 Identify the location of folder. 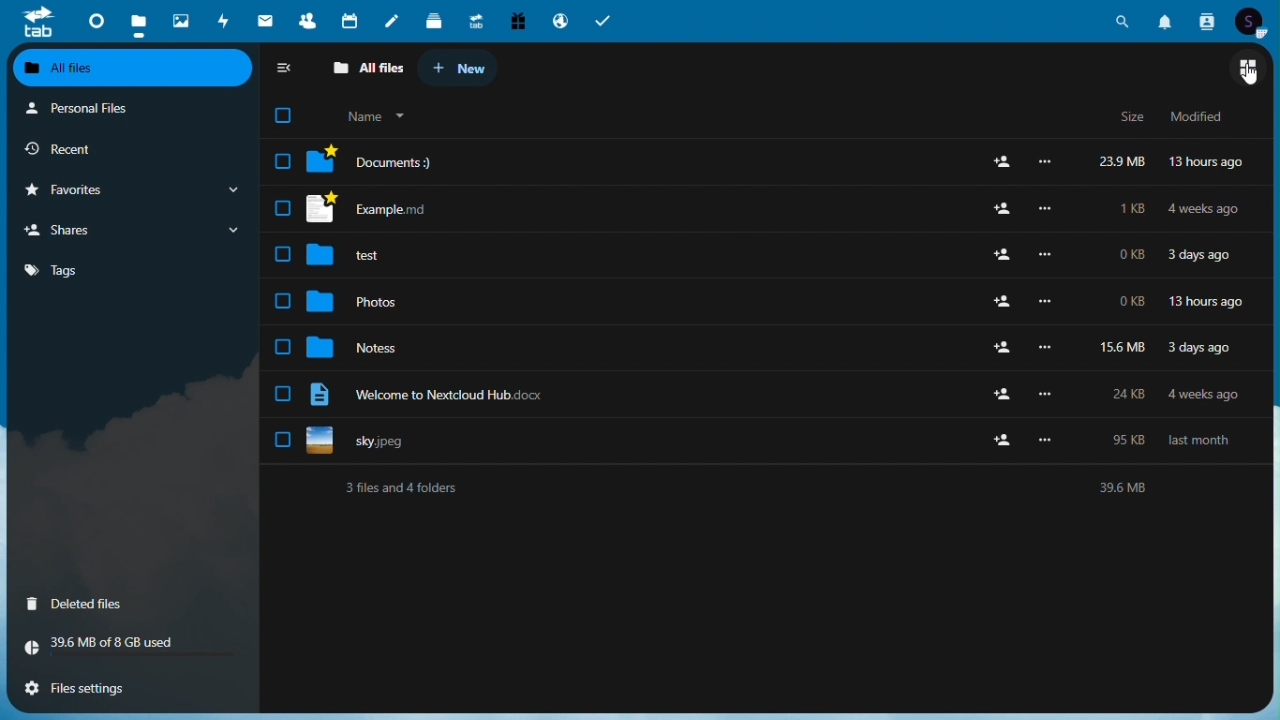
(320, 160).